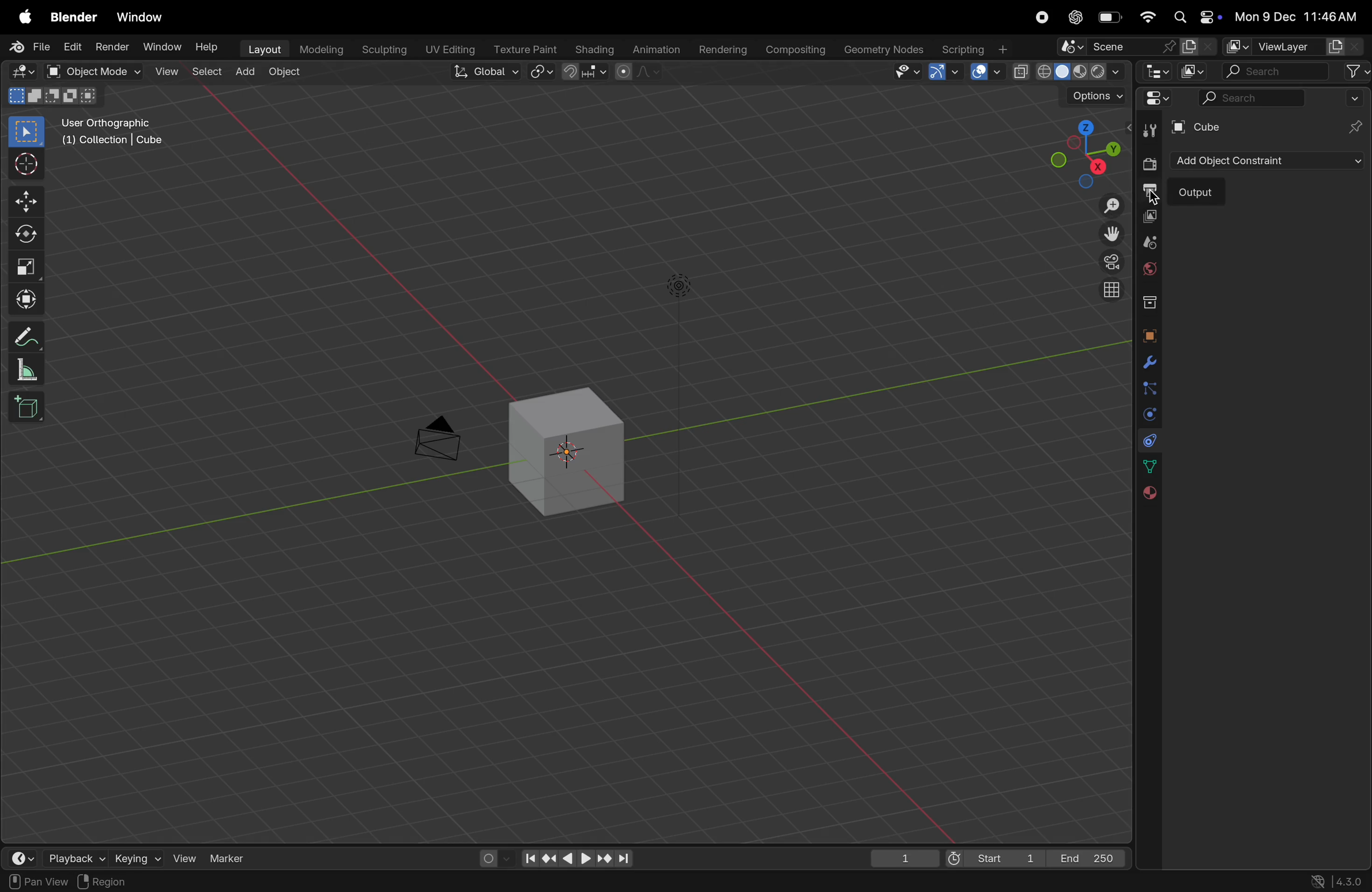 This screenshot has width=1372, height=892. Describe the element at coordinates (24, 267) in the screenshot. I see `scale` at that location.